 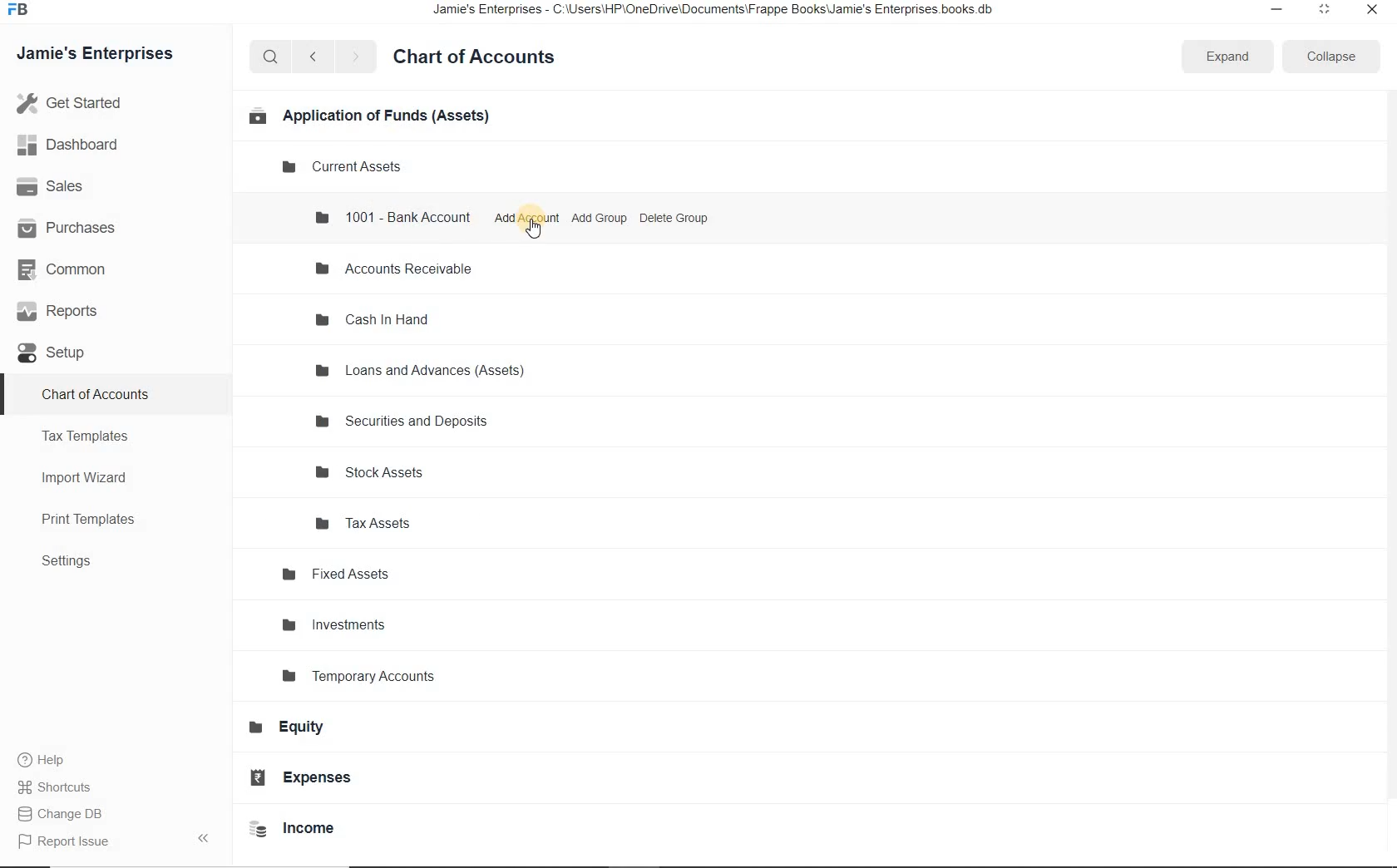 I want to click on Import Wizard, so click(x=92, y=476).